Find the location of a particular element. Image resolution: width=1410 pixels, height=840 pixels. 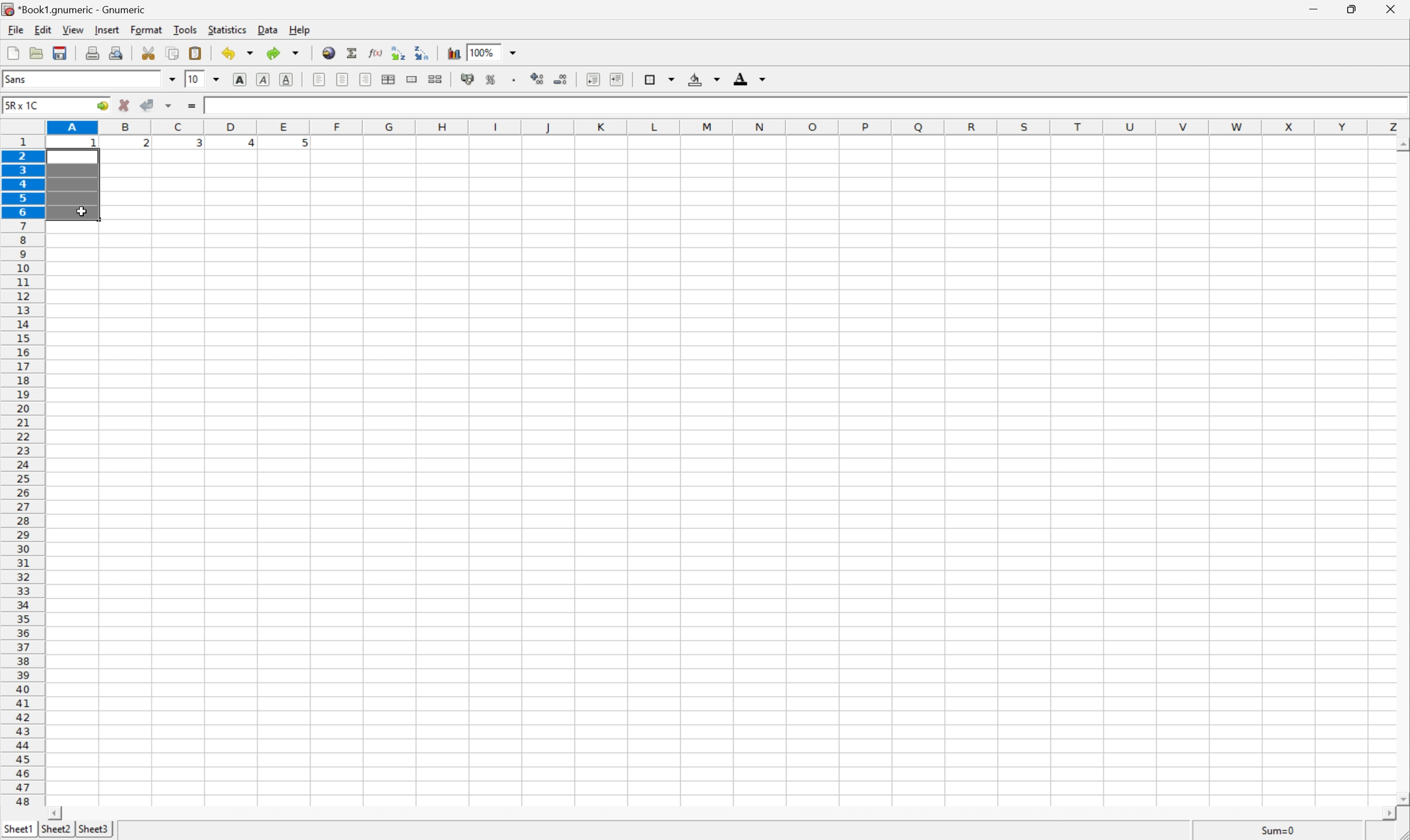

accept changes across selection is located at coordinates (168, 106).